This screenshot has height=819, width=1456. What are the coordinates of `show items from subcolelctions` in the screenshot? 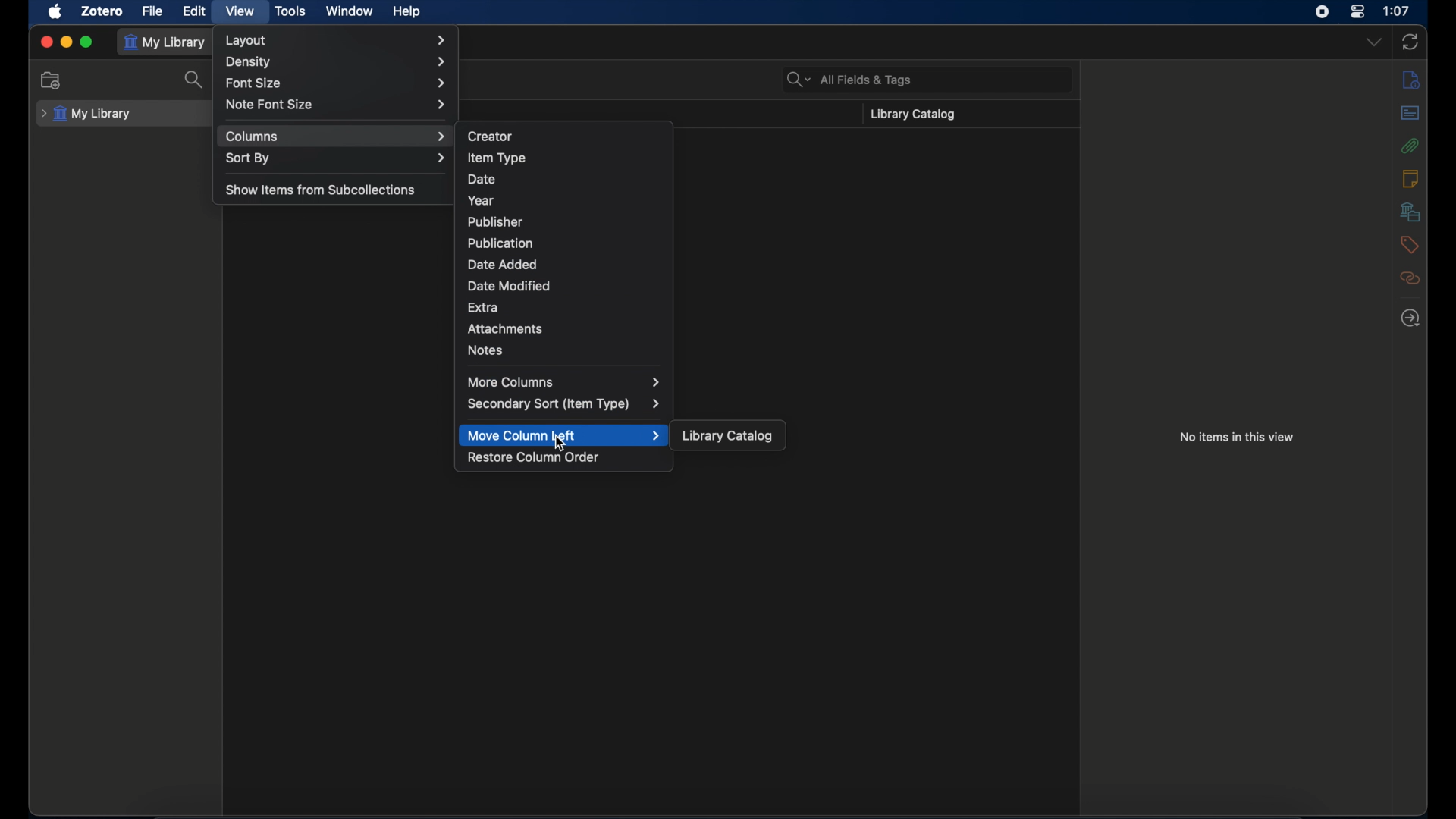 It's located at (322, 190).